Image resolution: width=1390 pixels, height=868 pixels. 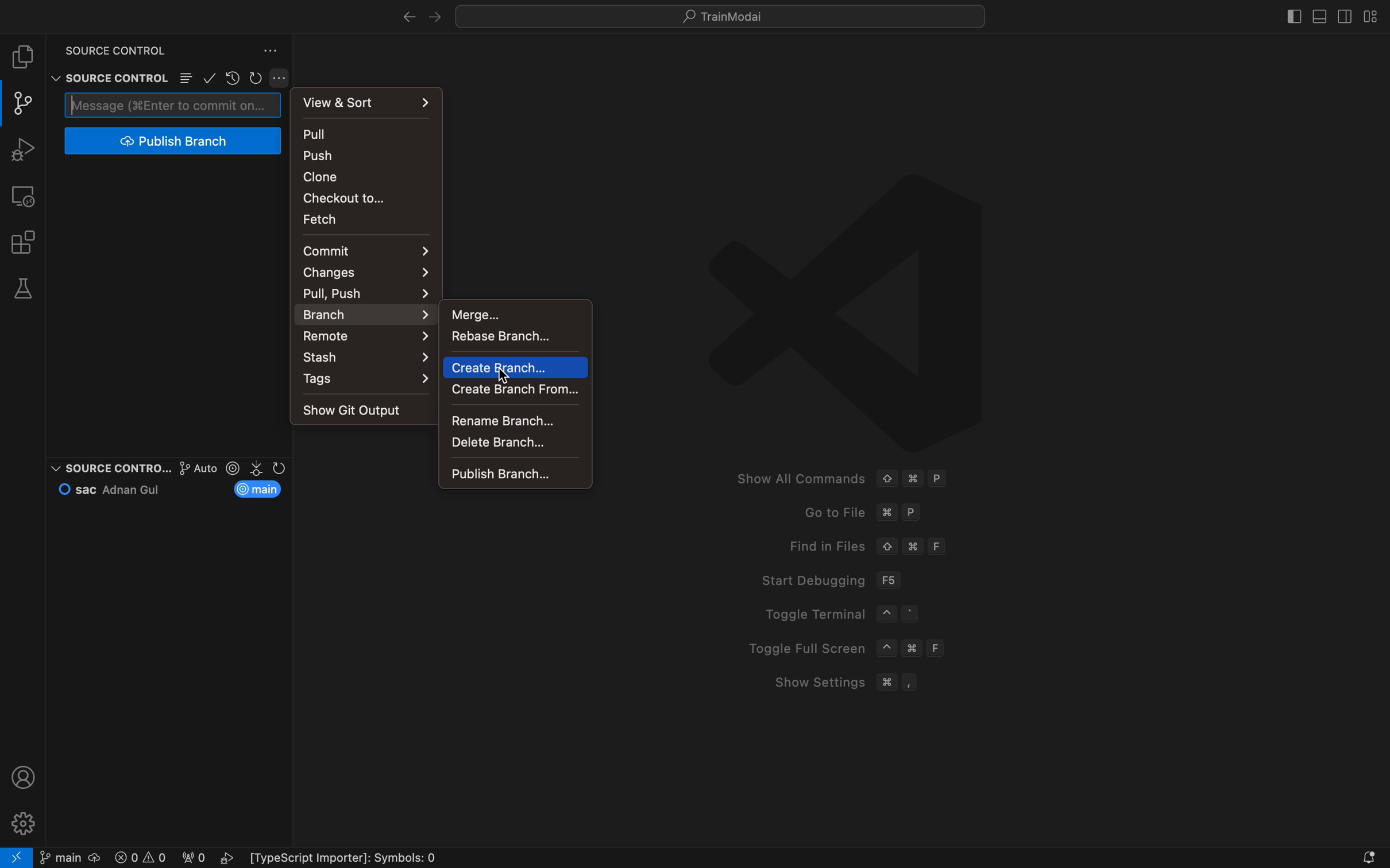 I want to click on remote, so click(x=26, y=195).